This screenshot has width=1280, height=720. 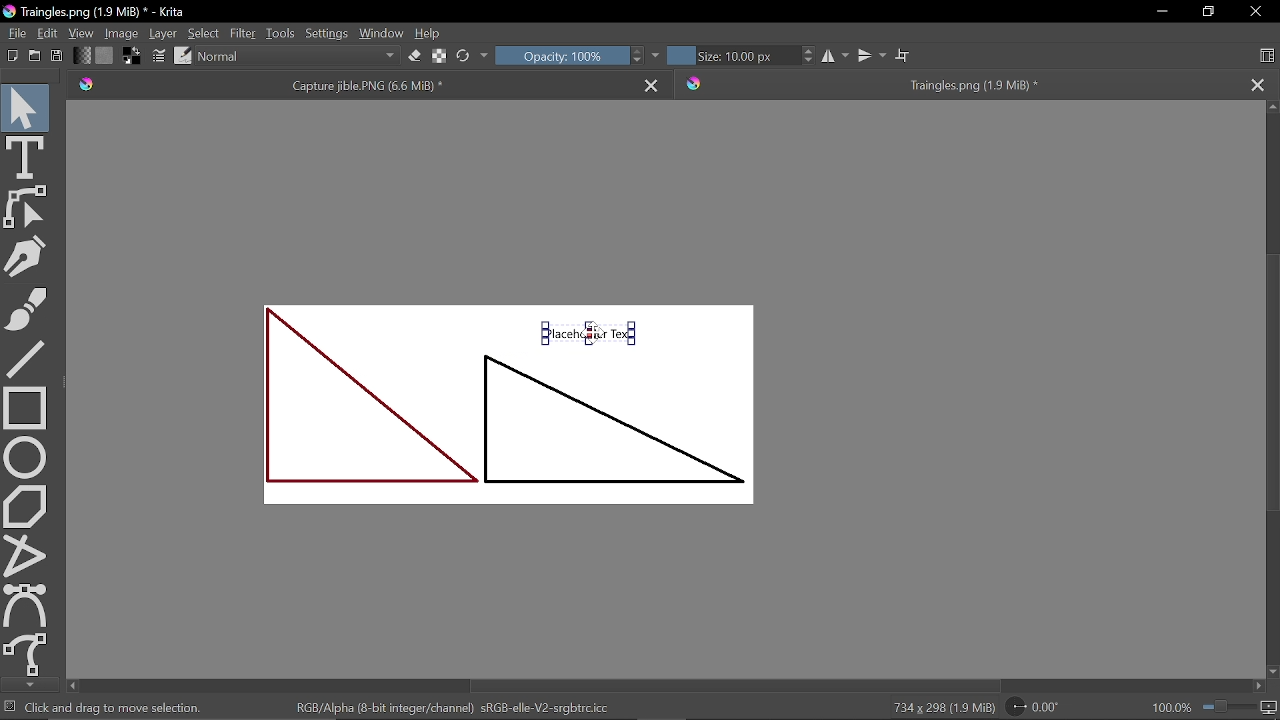 What do you see at coordinates (429, 33) in the screenshot?
I see `Help` at bounding box center [429, 33].